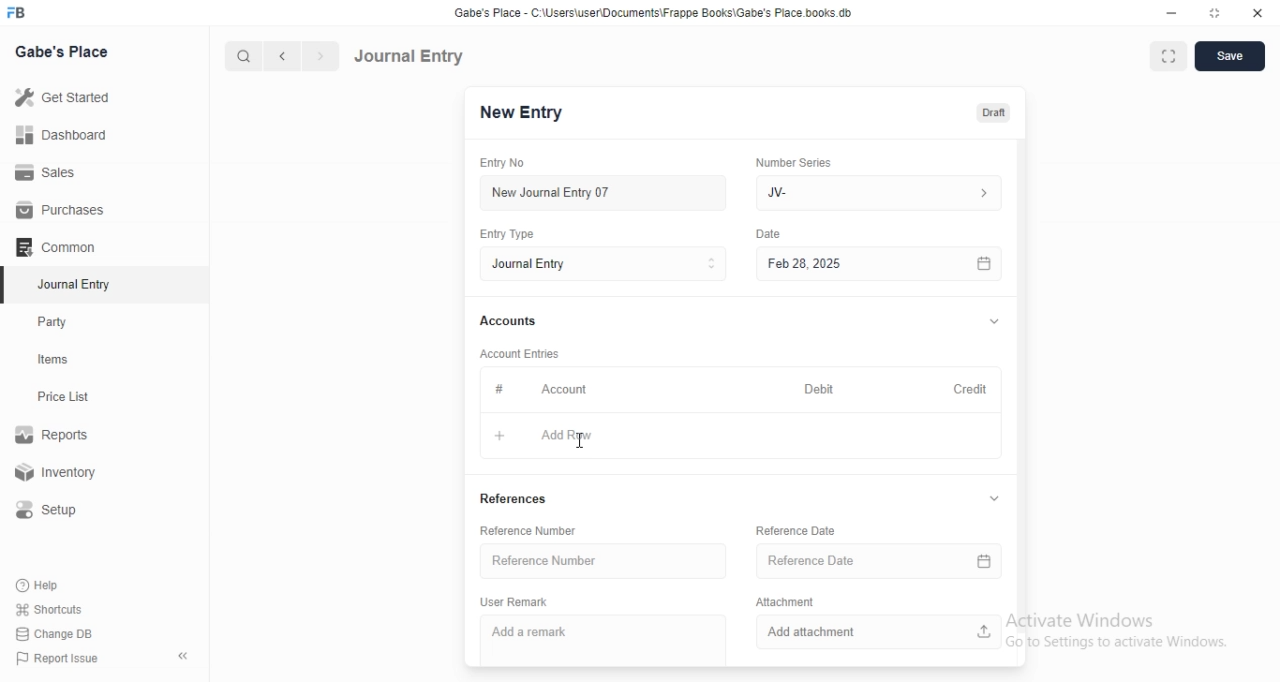  I want to click on tems, so click(61, 360).